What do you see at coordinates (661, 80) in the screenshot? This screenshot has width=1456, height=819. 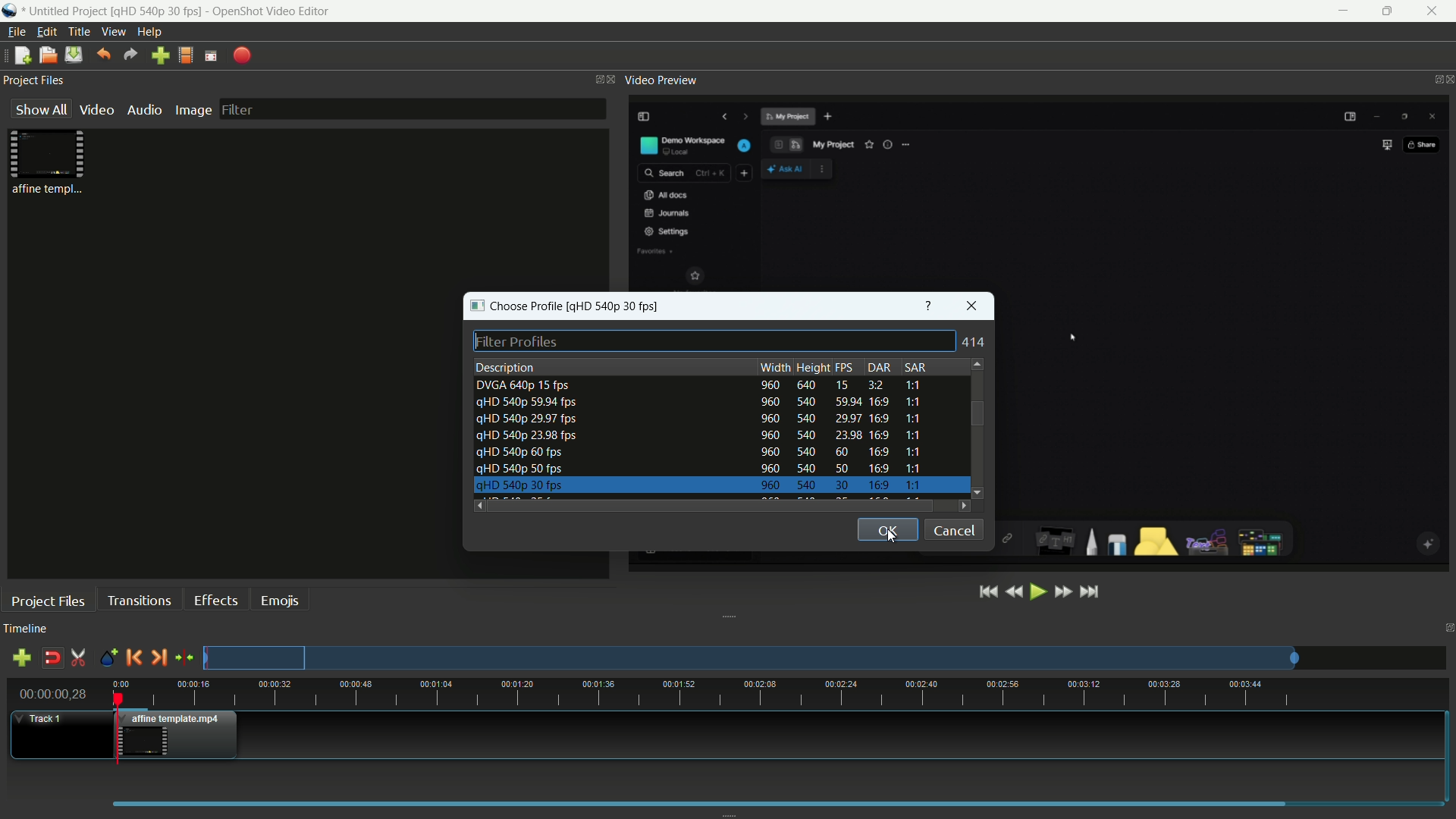 I see `video preview` at bounding box center [661, 80].